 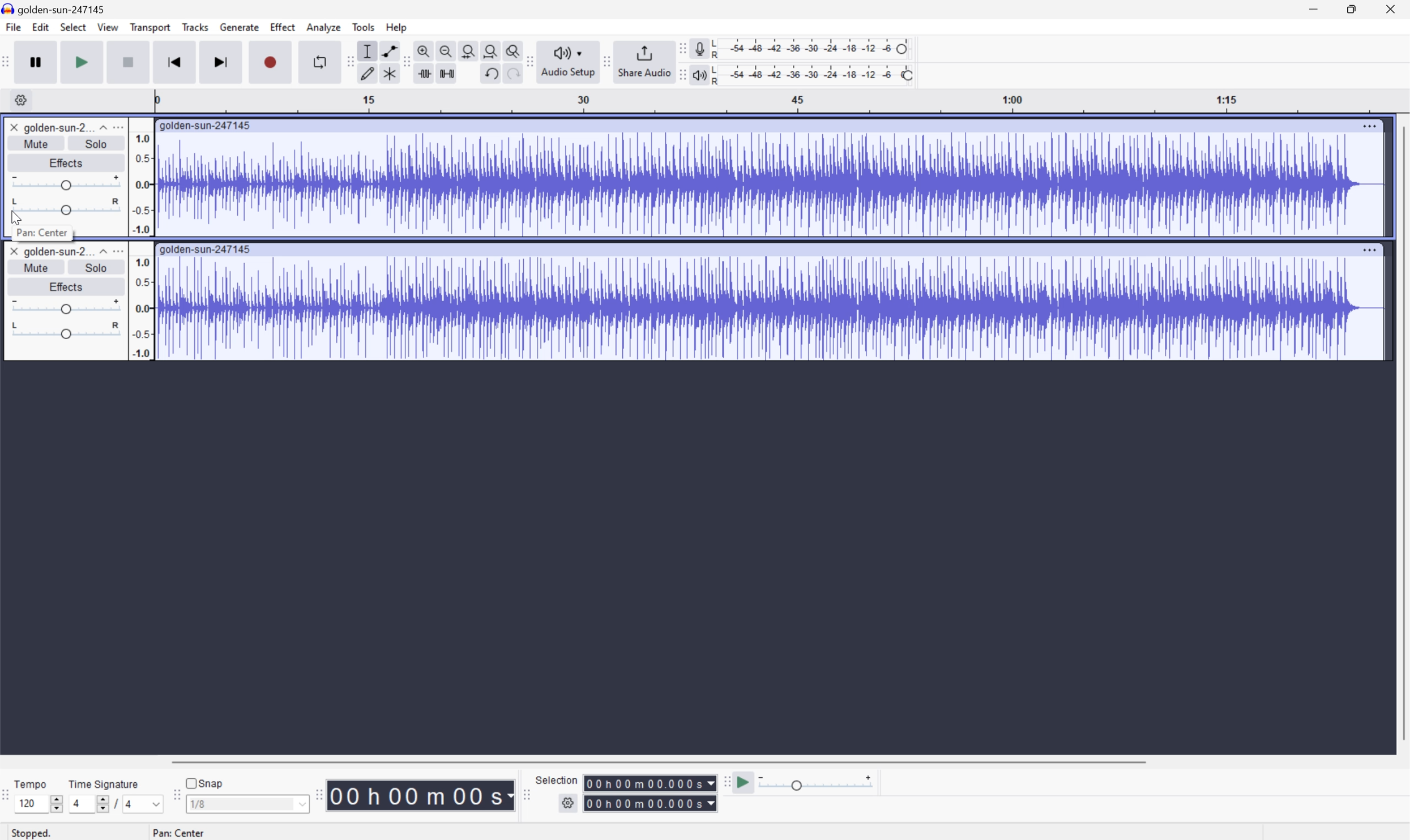 What do you see at coordinates (97, 144) in the screenshot?
I see `Solo` at bounding box center [97, 144].